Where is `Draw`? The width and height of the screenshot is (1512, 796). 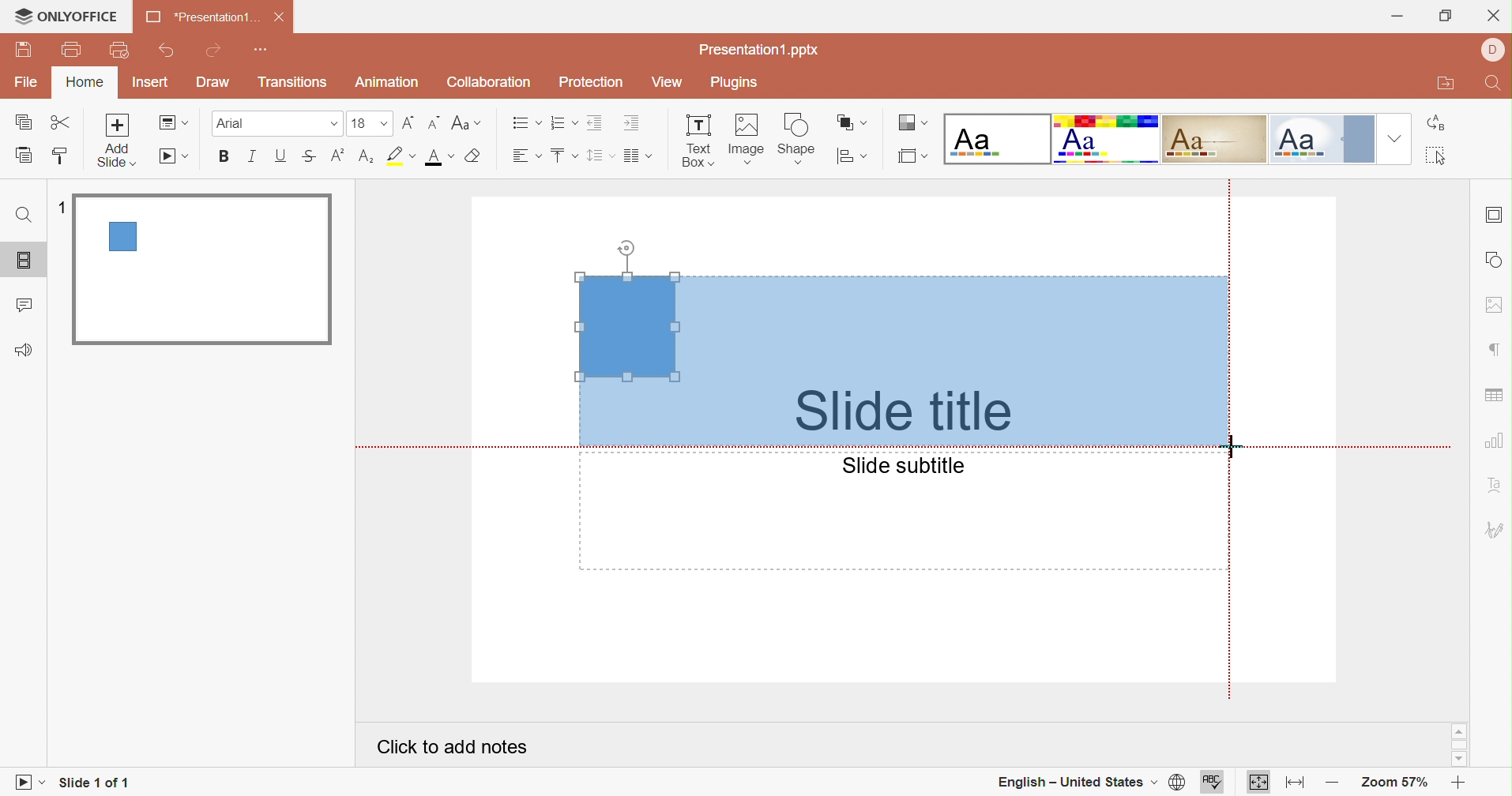 Draw is located at coordinates (212, 81).